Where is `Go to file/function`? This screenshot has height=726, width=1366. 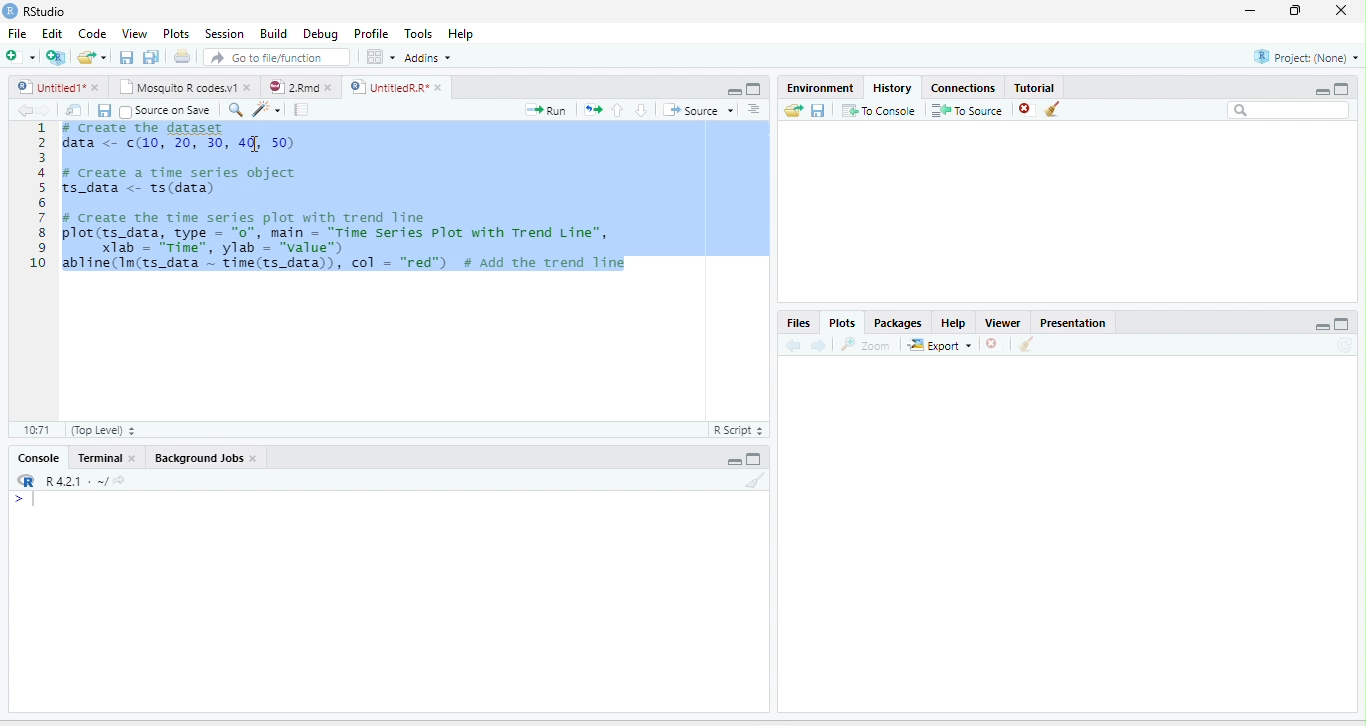
Go to file/function is located at coordinates (277, 57).